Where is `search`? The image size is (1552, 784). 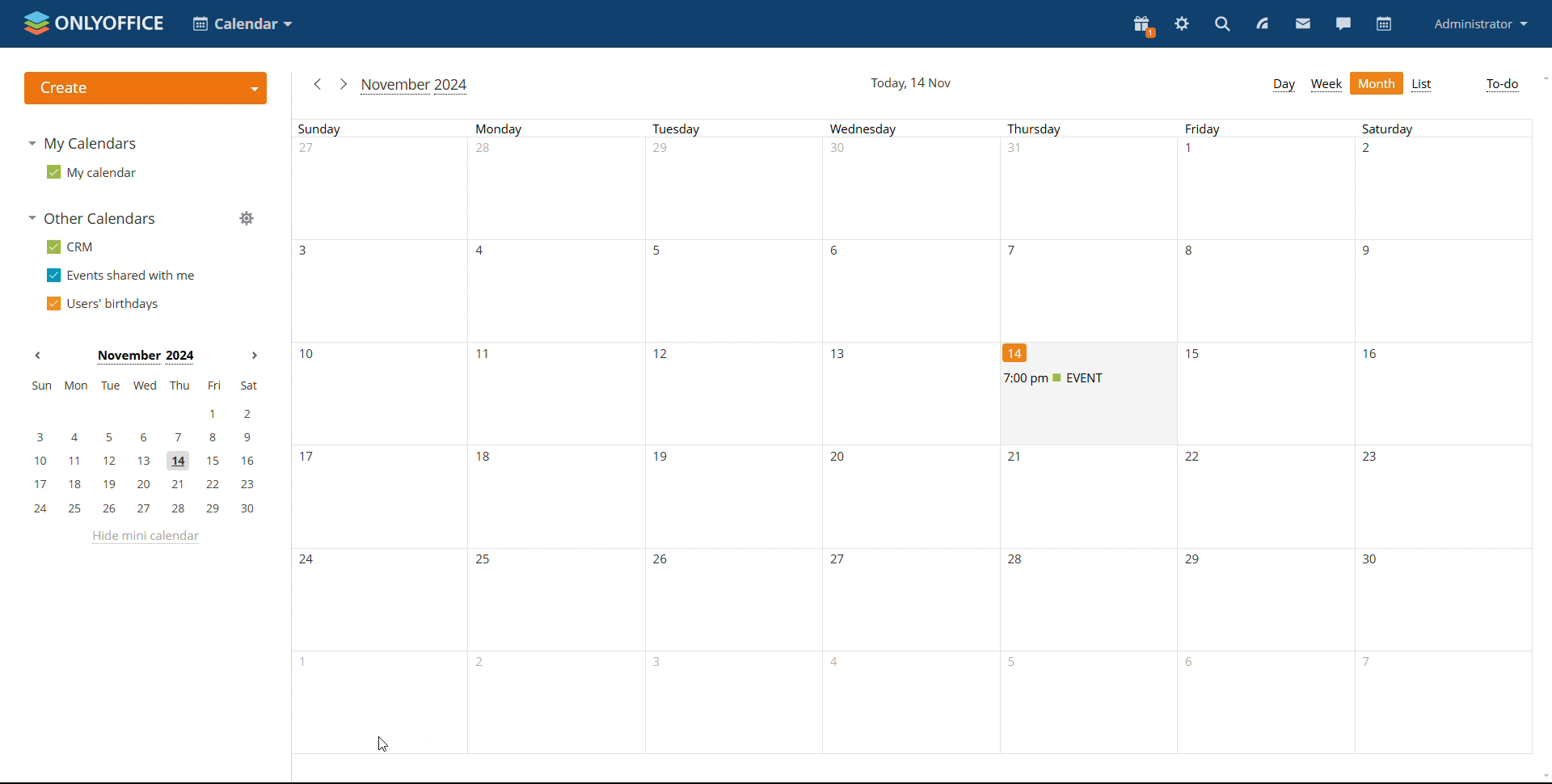
search is located at coordinates (1221, 23).